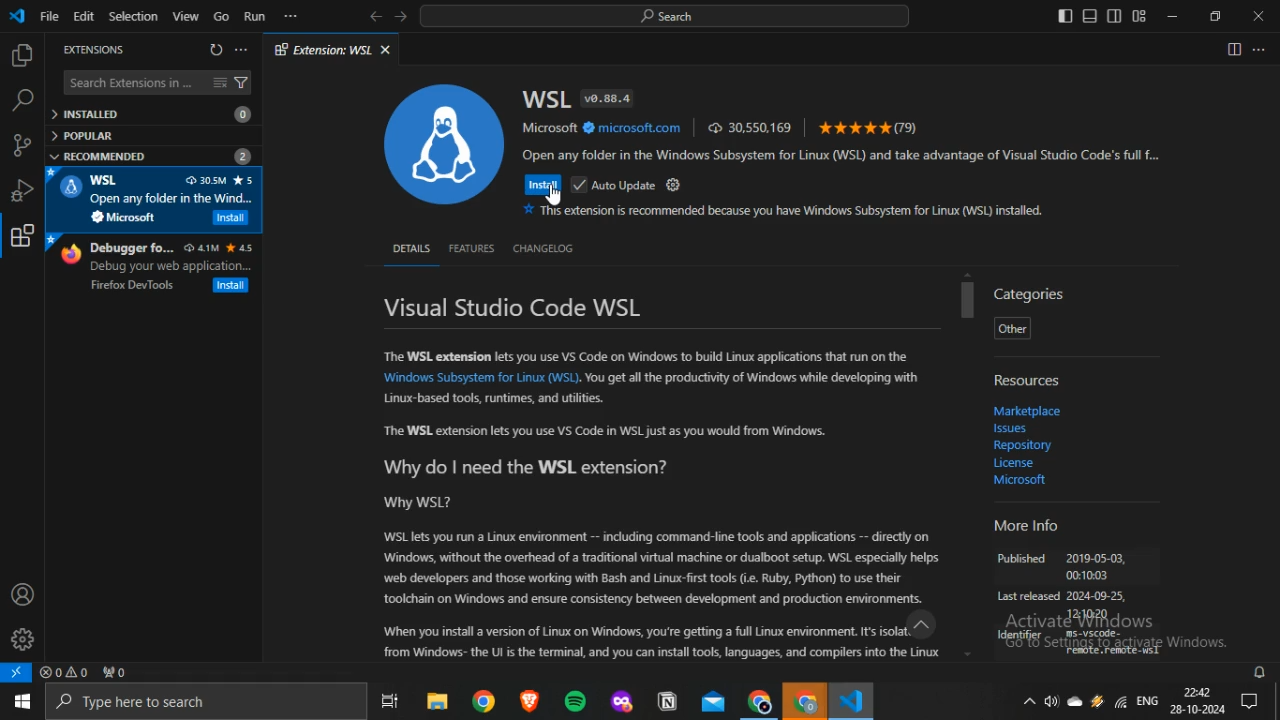 This screenshot has height=720, width=1280. Describe the element at coordinates (668, 700) in the screenshot. I see `notion` at that location.